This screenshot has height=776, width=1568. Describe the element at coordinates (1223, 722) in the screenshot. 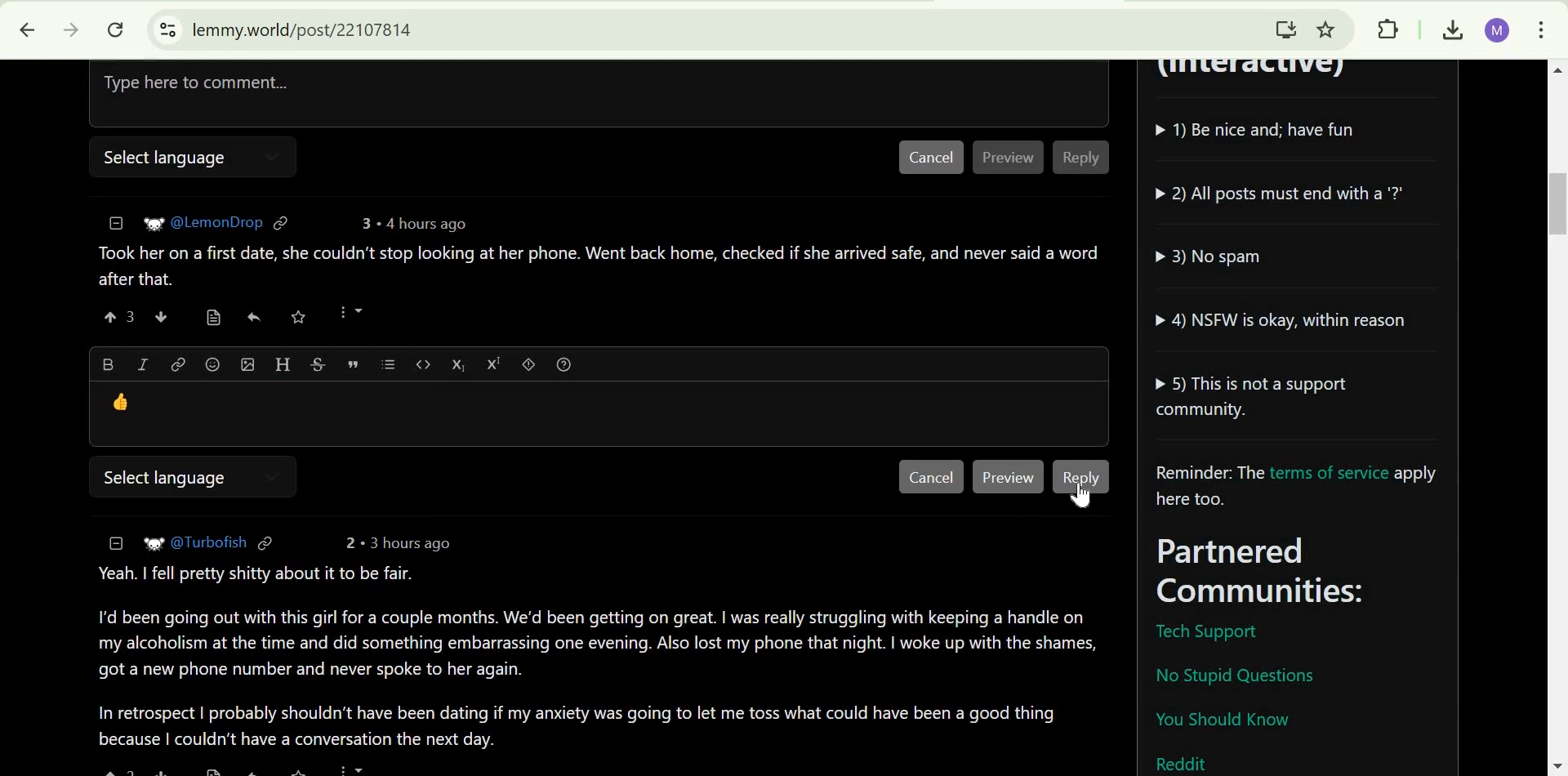

I see `You should know` at that location.